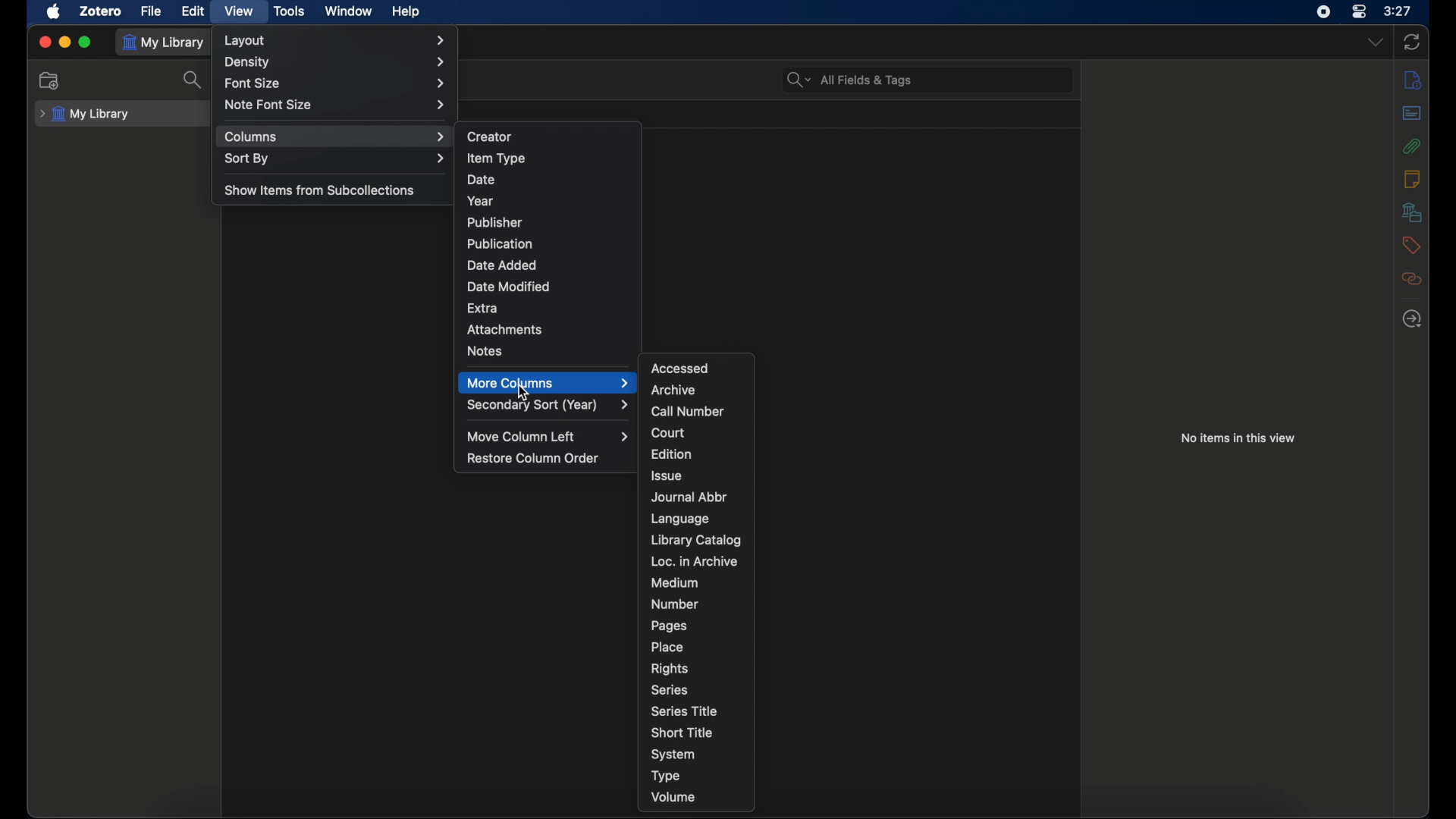  Describe the element at coordinates (688, 412) in the screenshot. I see `call number` at that location.